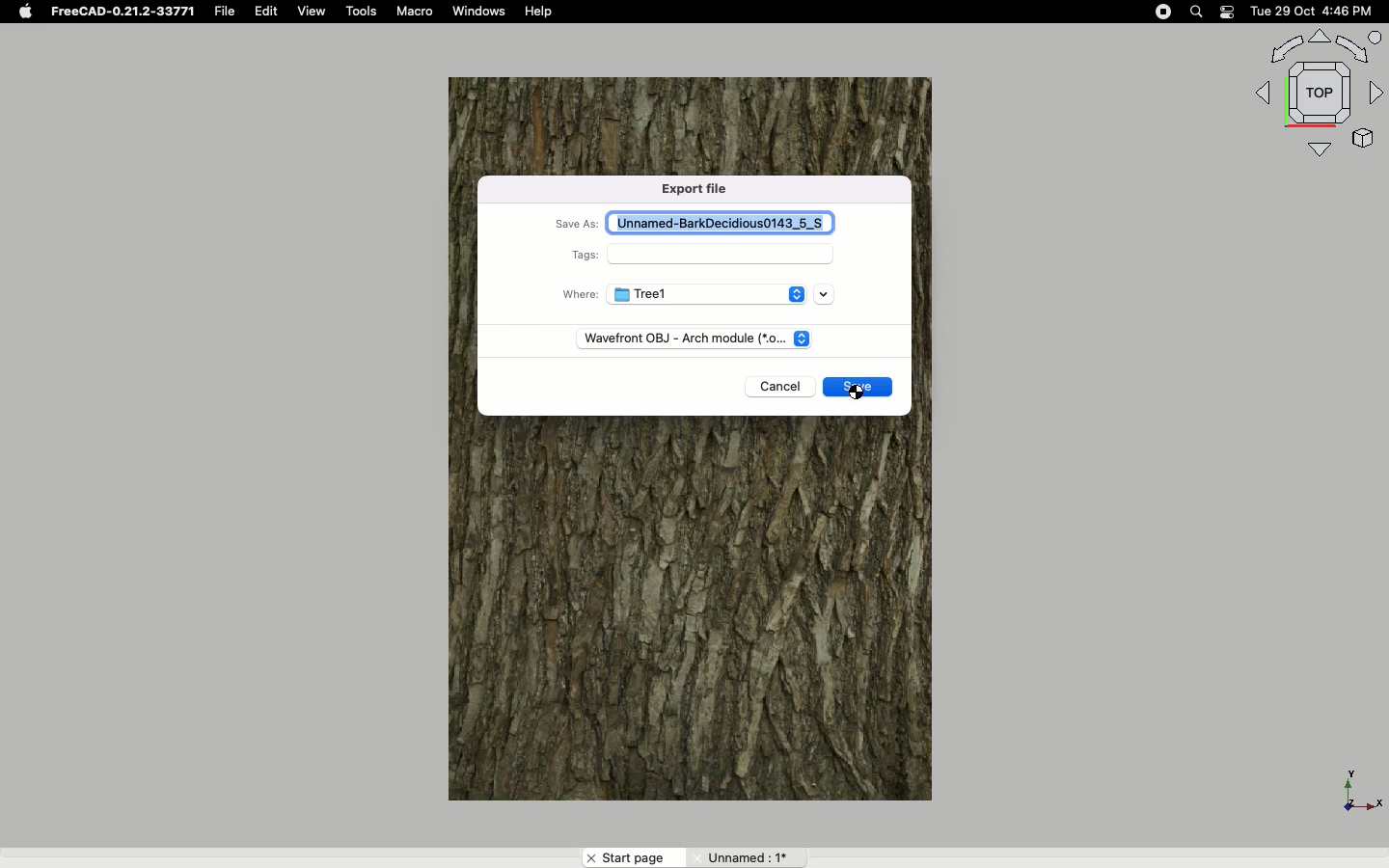  I want to click on Windows, so click(484, 13).